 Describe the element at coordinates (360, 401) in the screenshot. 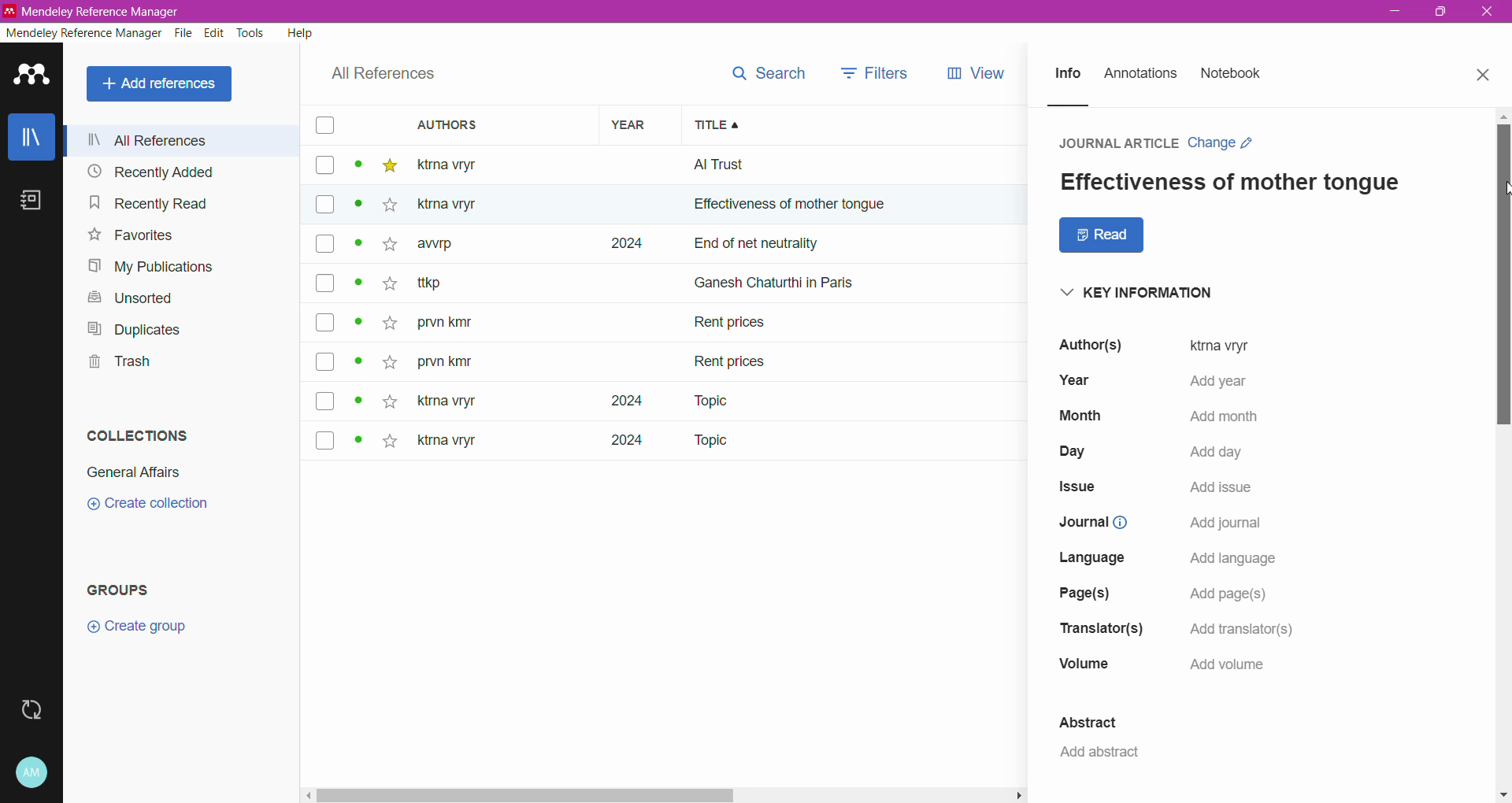

I see `dot ` at that location.